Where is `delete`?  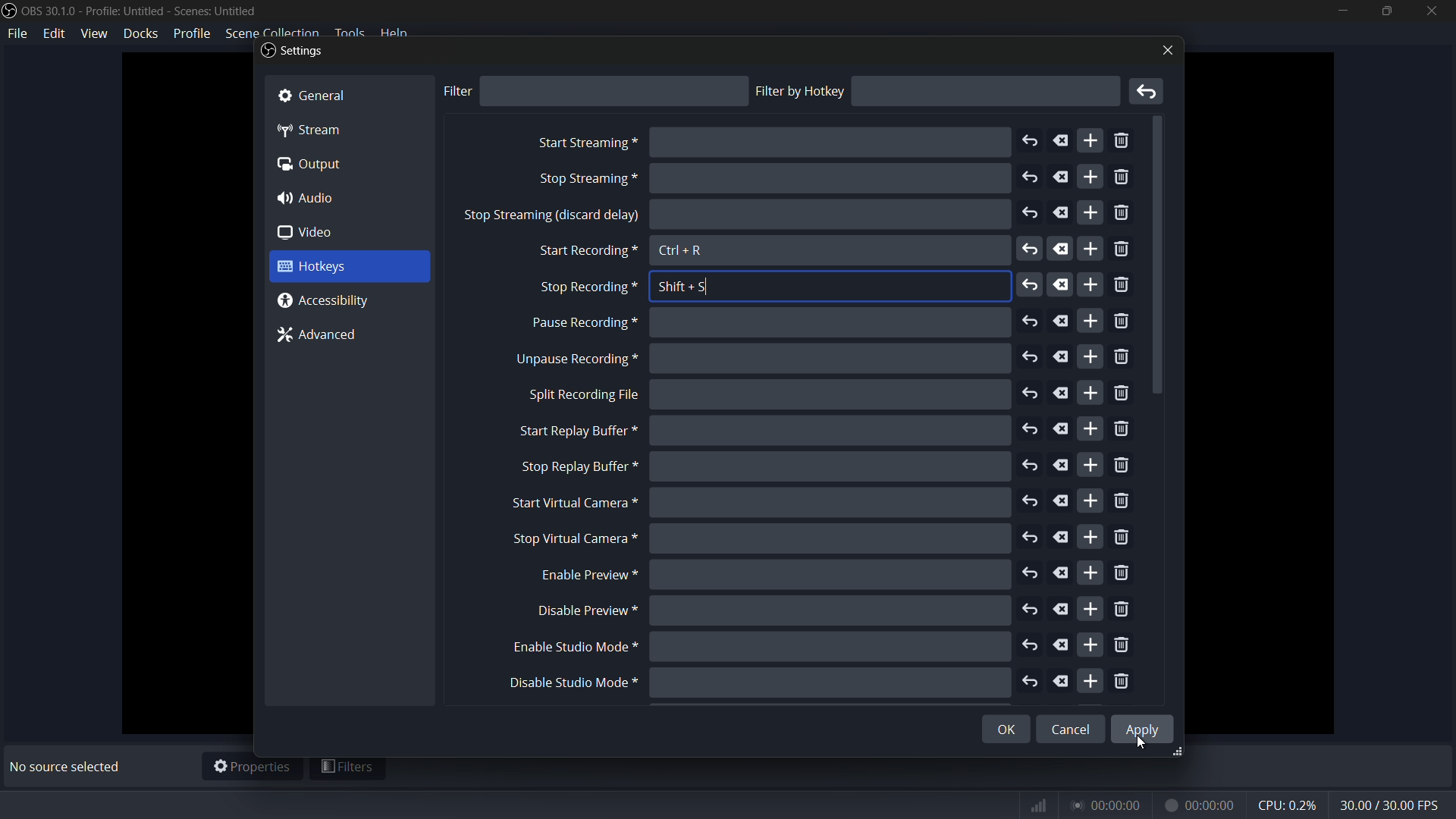 delete is located at coordinates (1062, 321).